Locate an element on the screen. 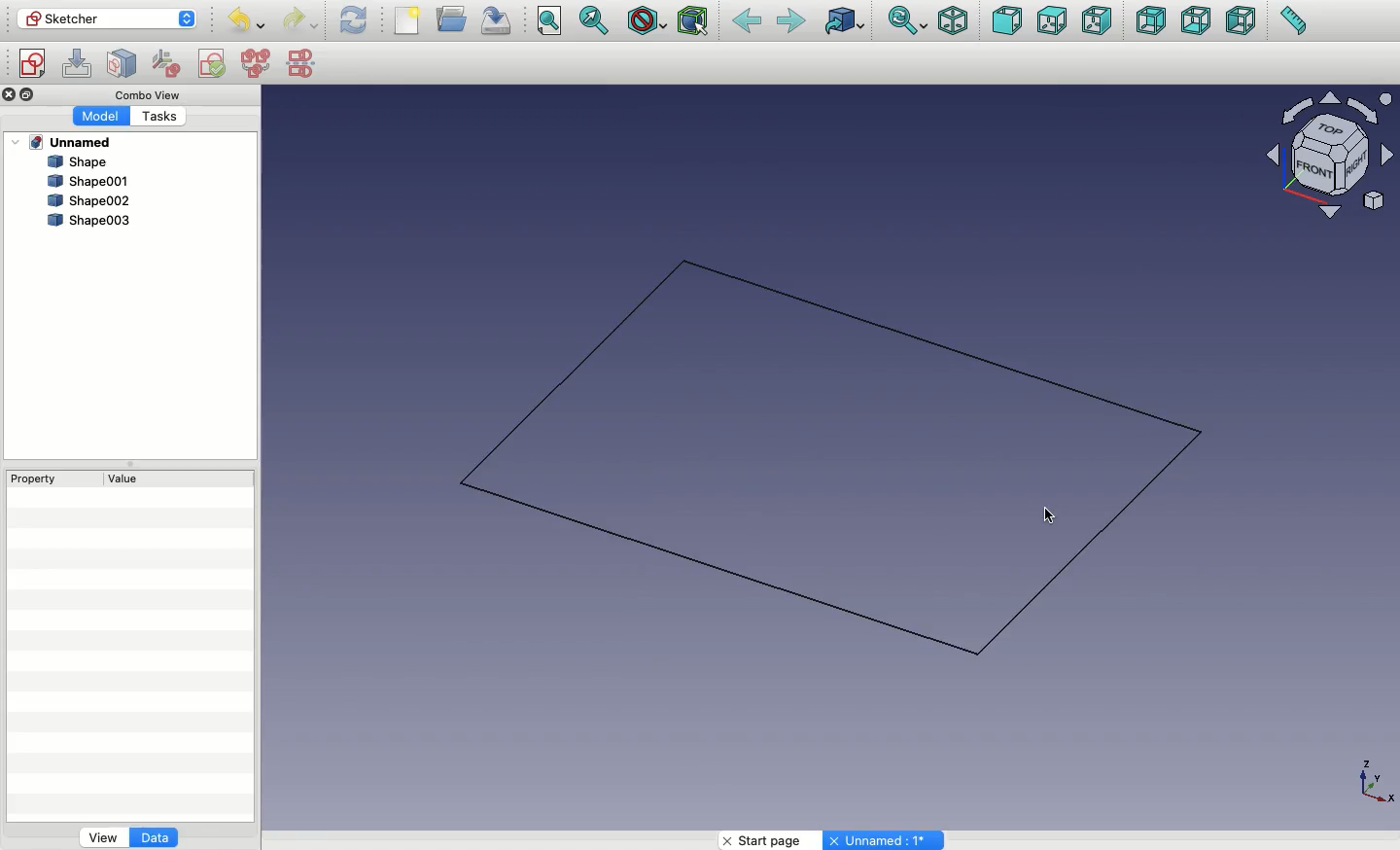 The image size is (1400, 850). View is located at coordinates (100, 838).